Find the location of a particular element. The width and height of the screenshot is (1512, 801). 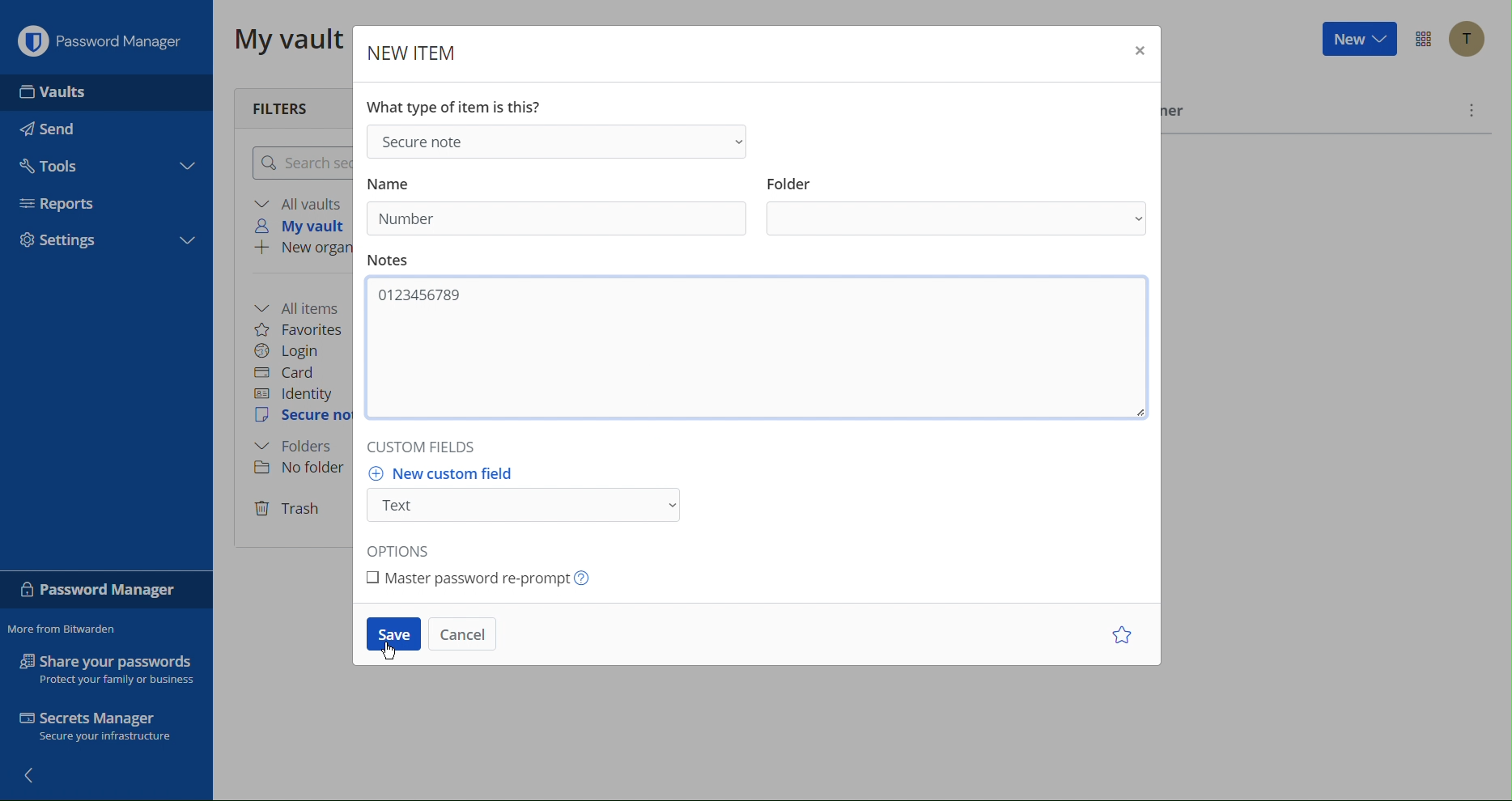

Options is located at coordinates (408, 549).